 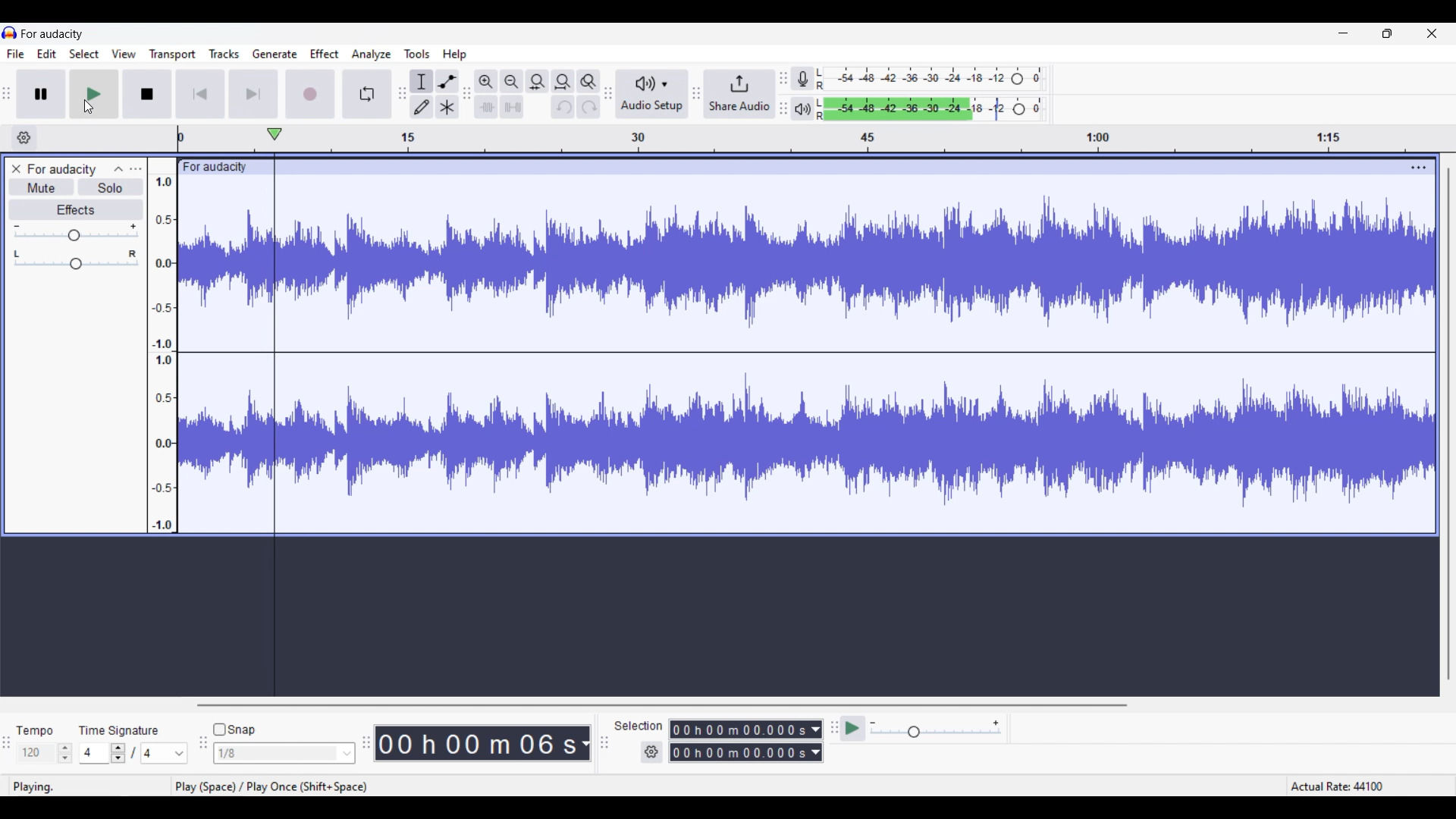 I want to click on Draw tool, so click(x=422, y=107).